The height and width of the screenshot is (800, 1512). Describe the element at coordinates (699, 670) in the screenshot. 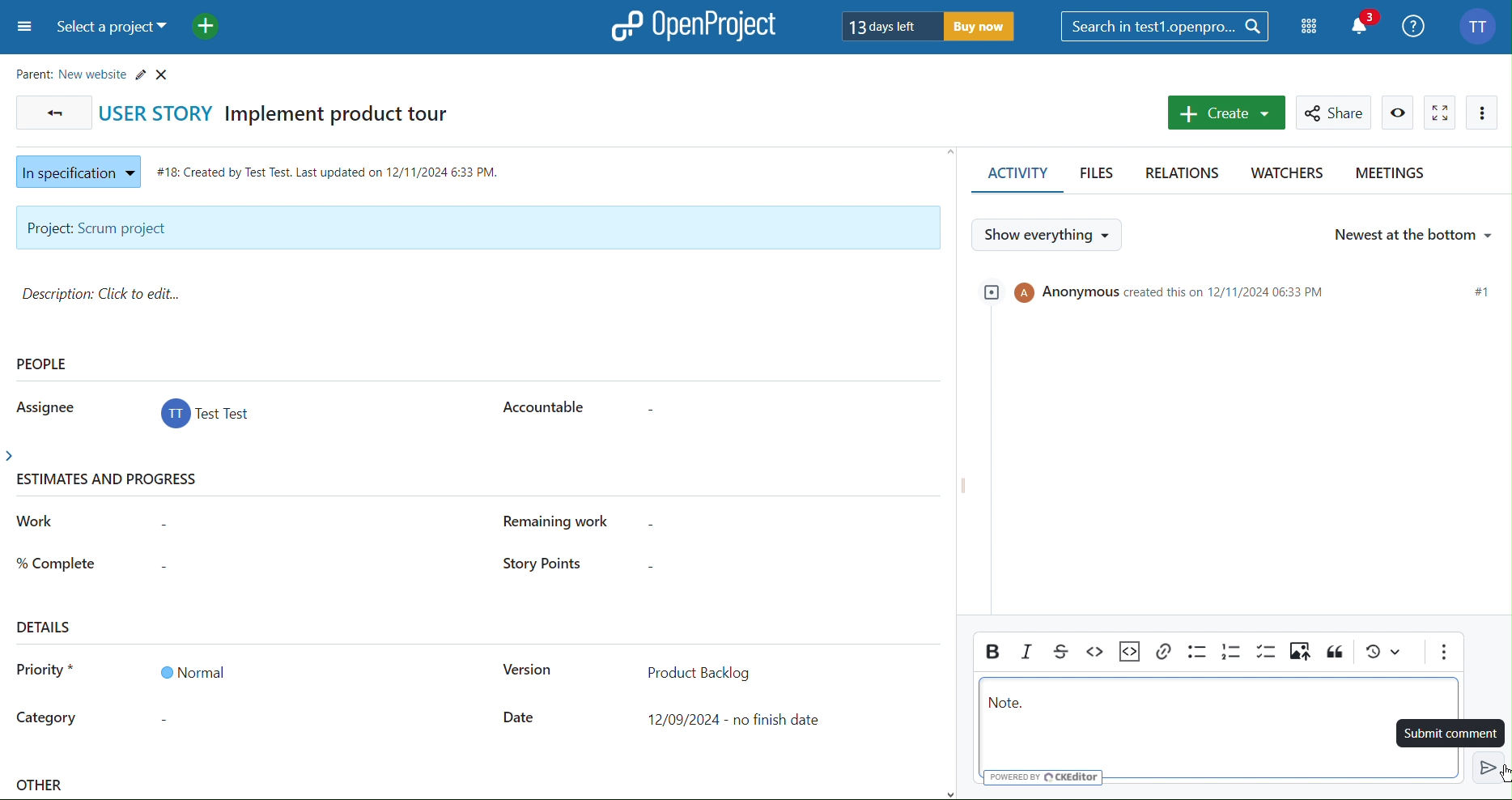

I see `Product Backlog` at that location.